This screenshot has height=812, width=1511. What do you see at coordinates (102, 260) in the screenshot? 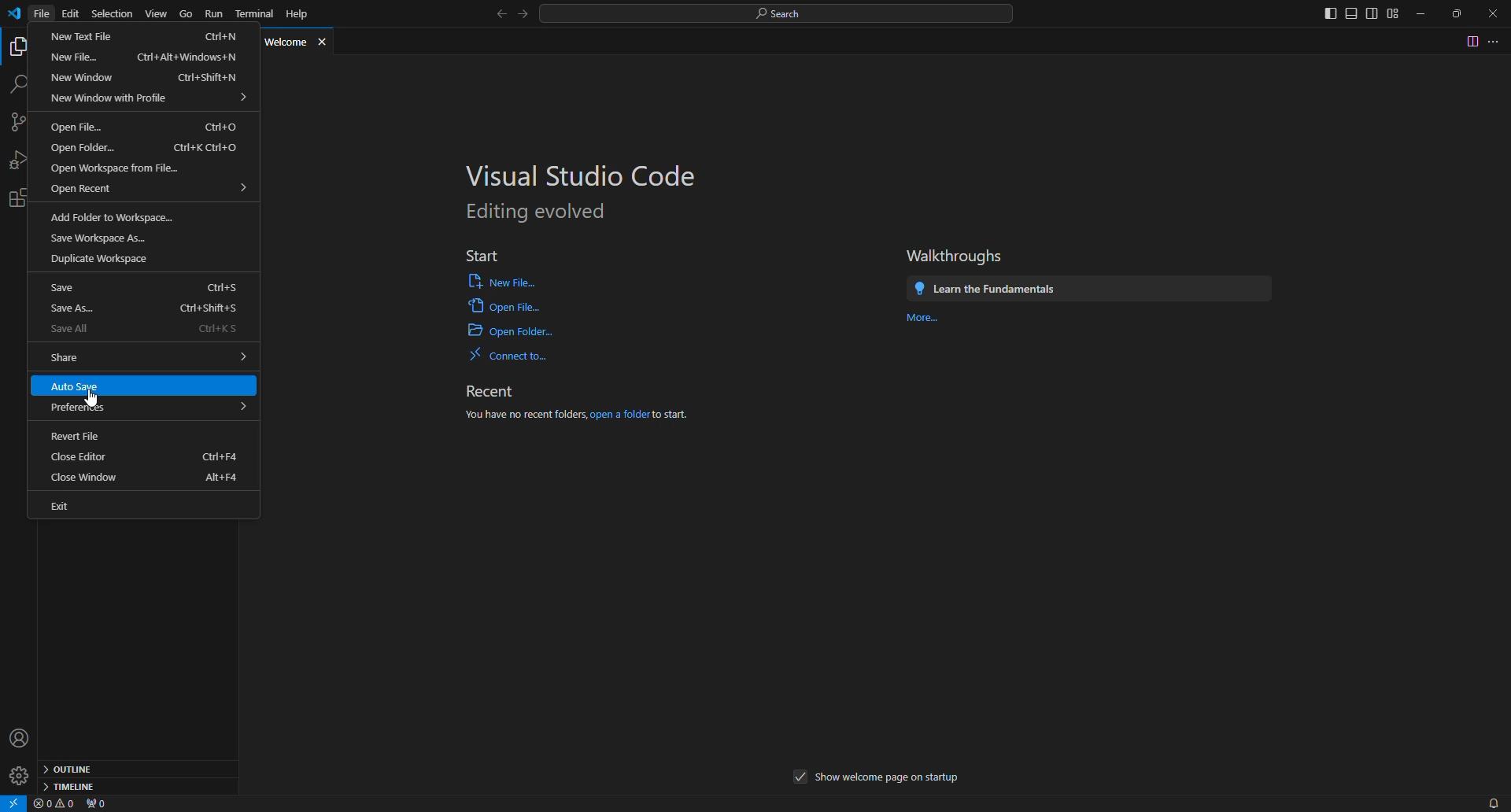
I see `duplicate workspace` at bounding box center [102, 260].